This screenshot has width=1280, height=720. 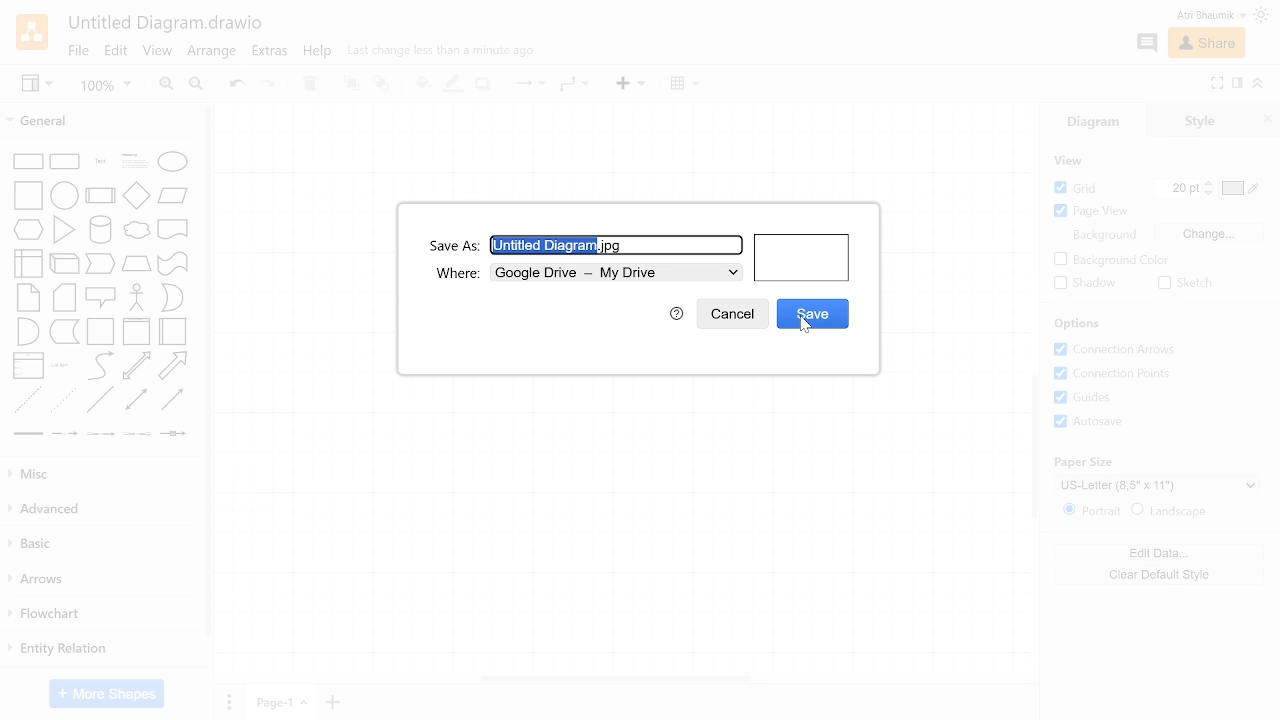 What do you see at coordinates (1237, 82) in the screenshot?
I see `Format` at bounding box center [1237, 82].